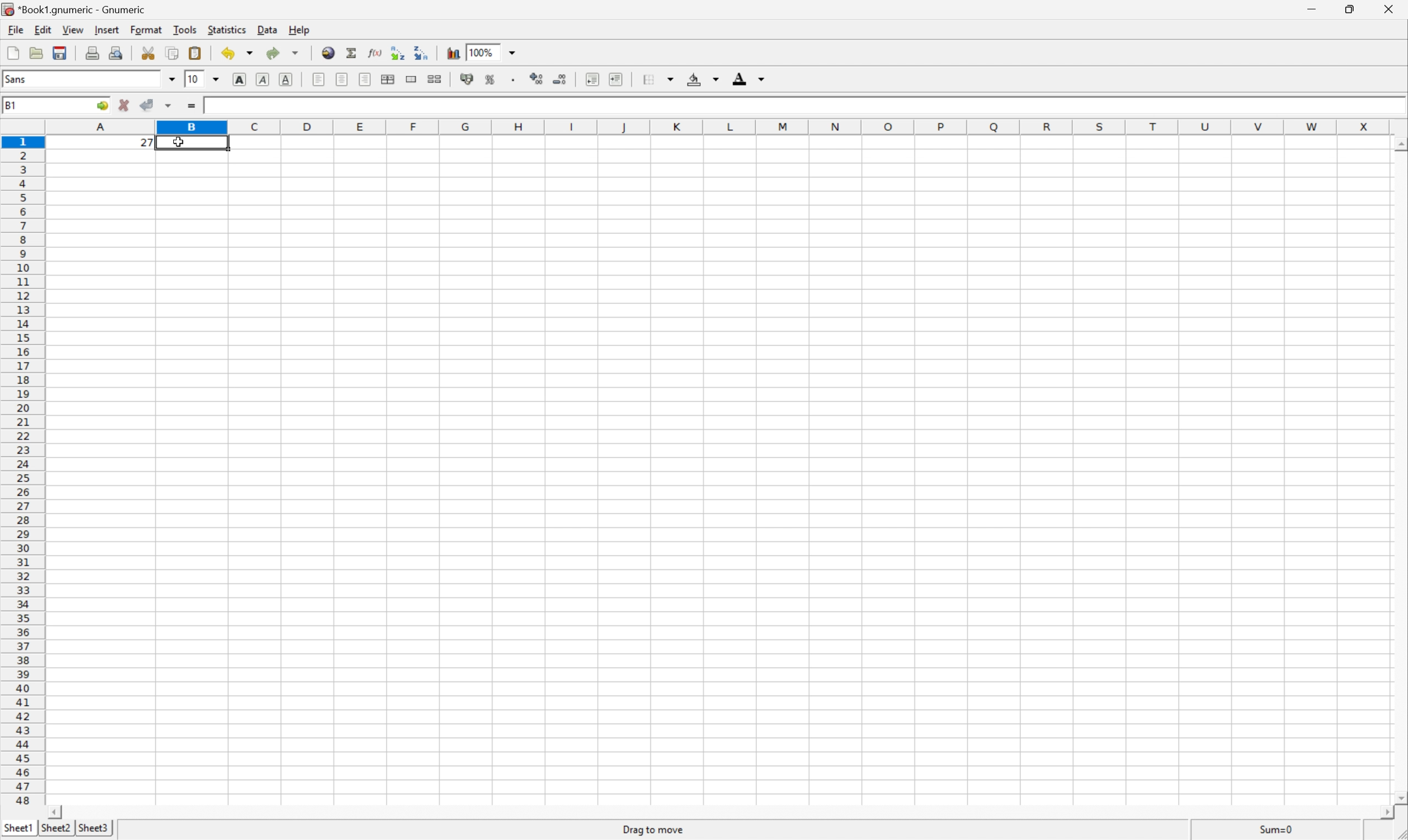 The width and height of the screenshot is (1408, 840). What do you see at coordinates (184, 28) in the screenshot?
I see `Tools` at bounding box center [184, 28].